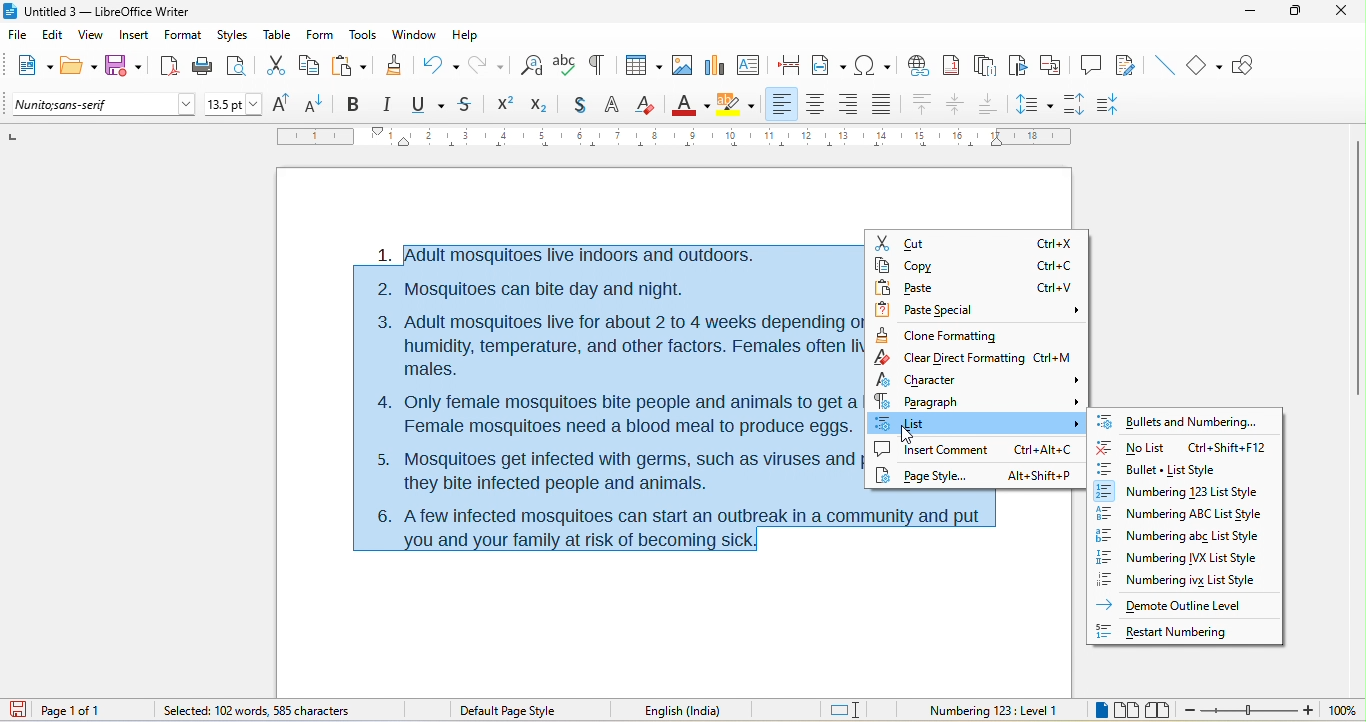 The height and width of the screenshot is (722, 1366). What do you see at coordinates (690, 103) in the screenshot?
I see `font color` at bounding box center [690, 103].